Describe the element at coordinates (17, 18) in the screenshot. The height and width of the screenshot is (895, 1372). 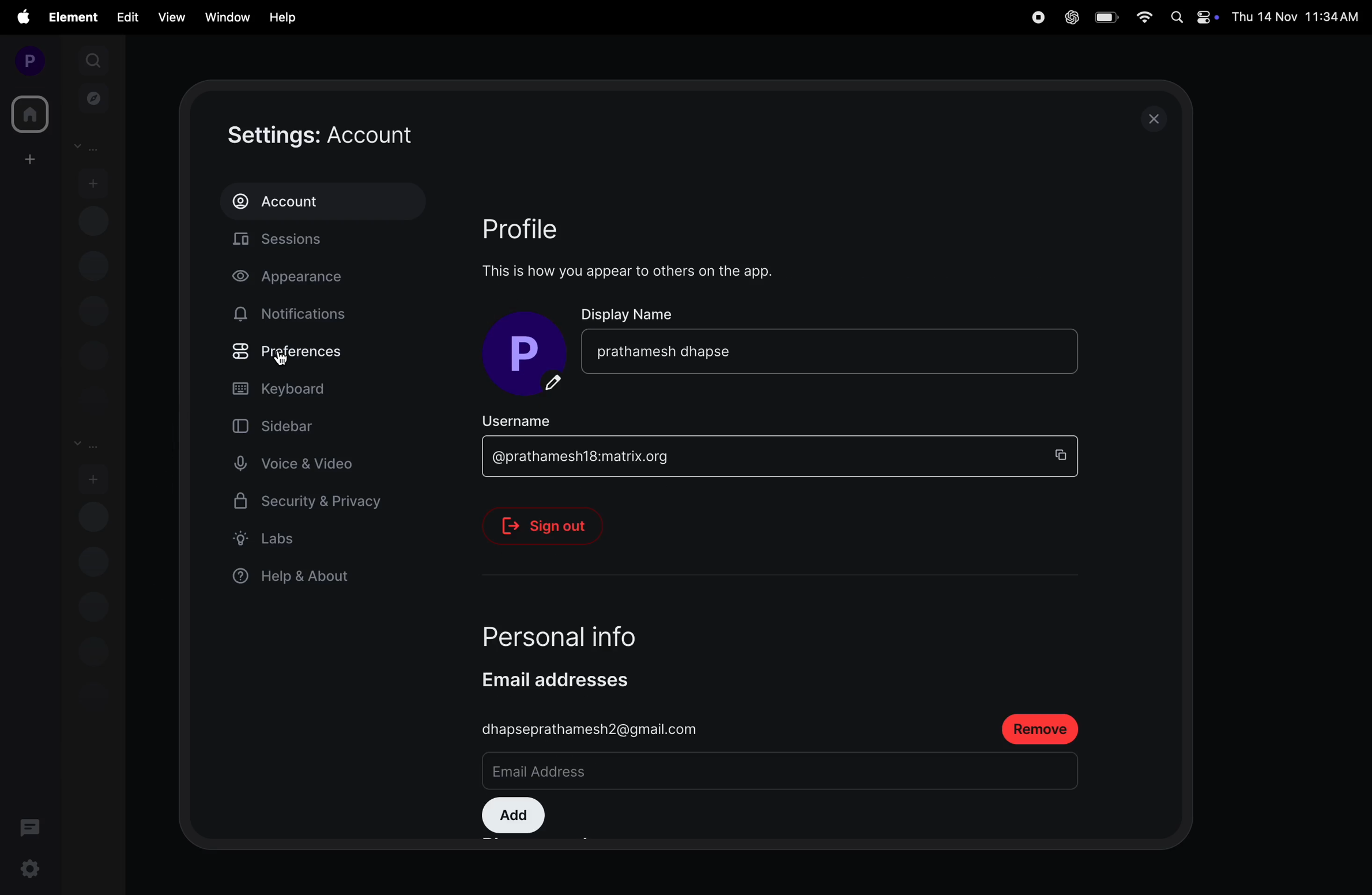
I see `apple menu` at that location.